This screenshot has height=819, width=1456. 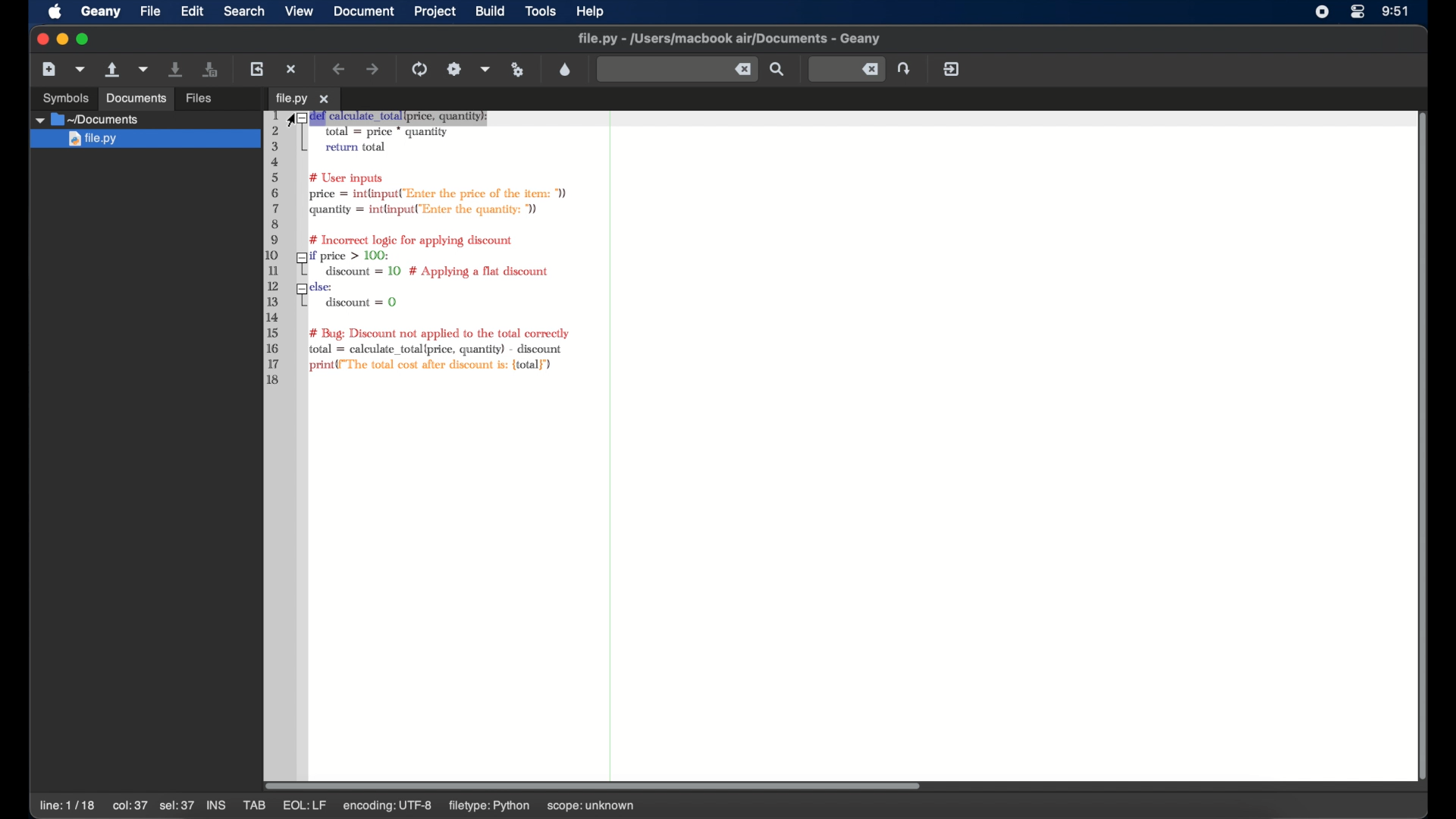 I want to click on navigate forward a location, so click(x=372, y=68).